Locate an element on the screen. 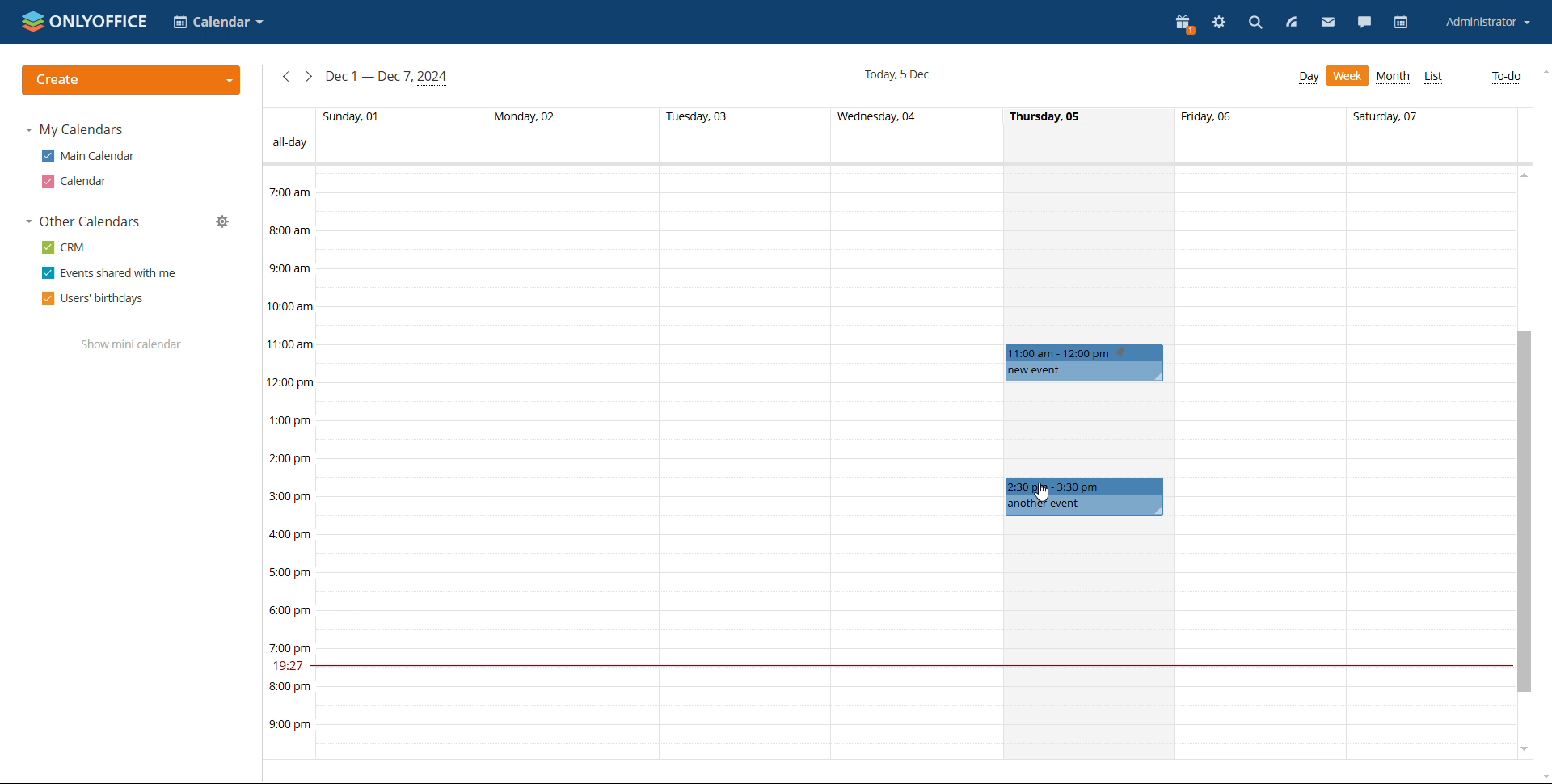 The height and width of the screenshot is (784, 1552). 2:00 pm is located at coordinates (290, 458).